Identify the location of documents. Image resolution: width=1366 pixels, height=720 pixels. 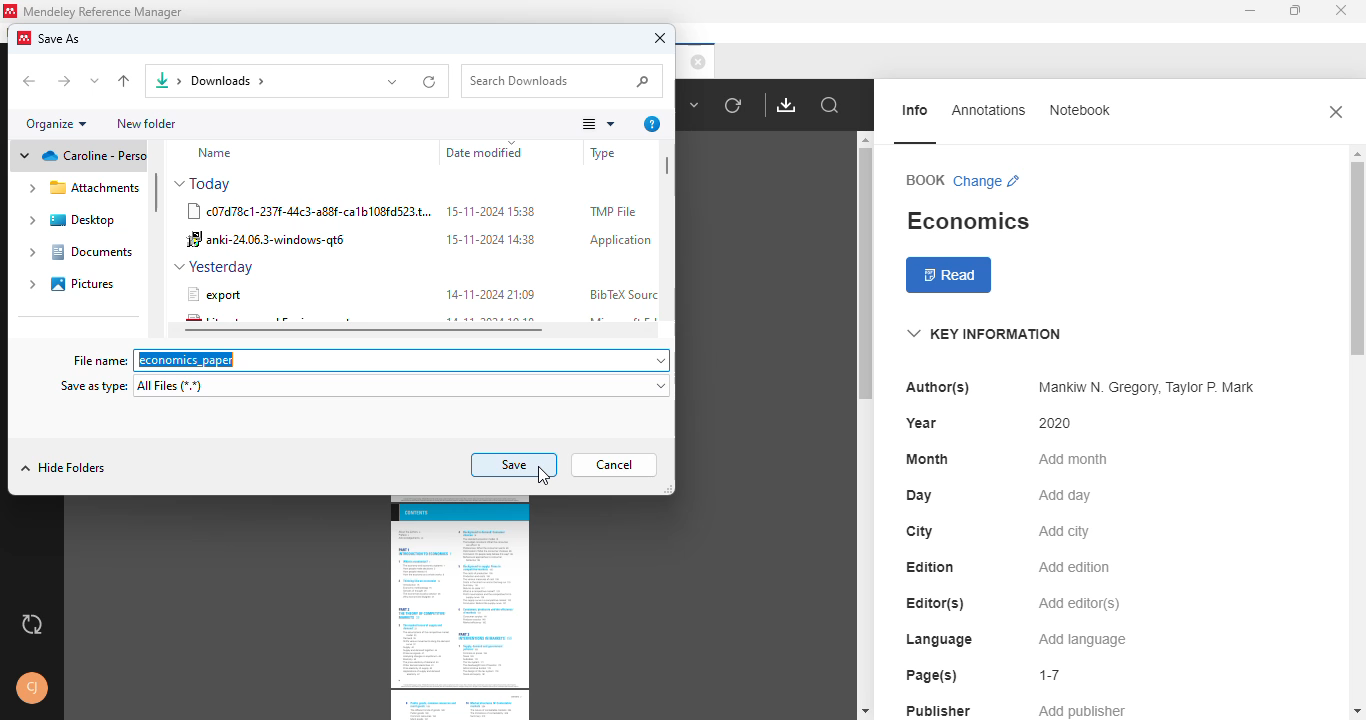
(82, 253).